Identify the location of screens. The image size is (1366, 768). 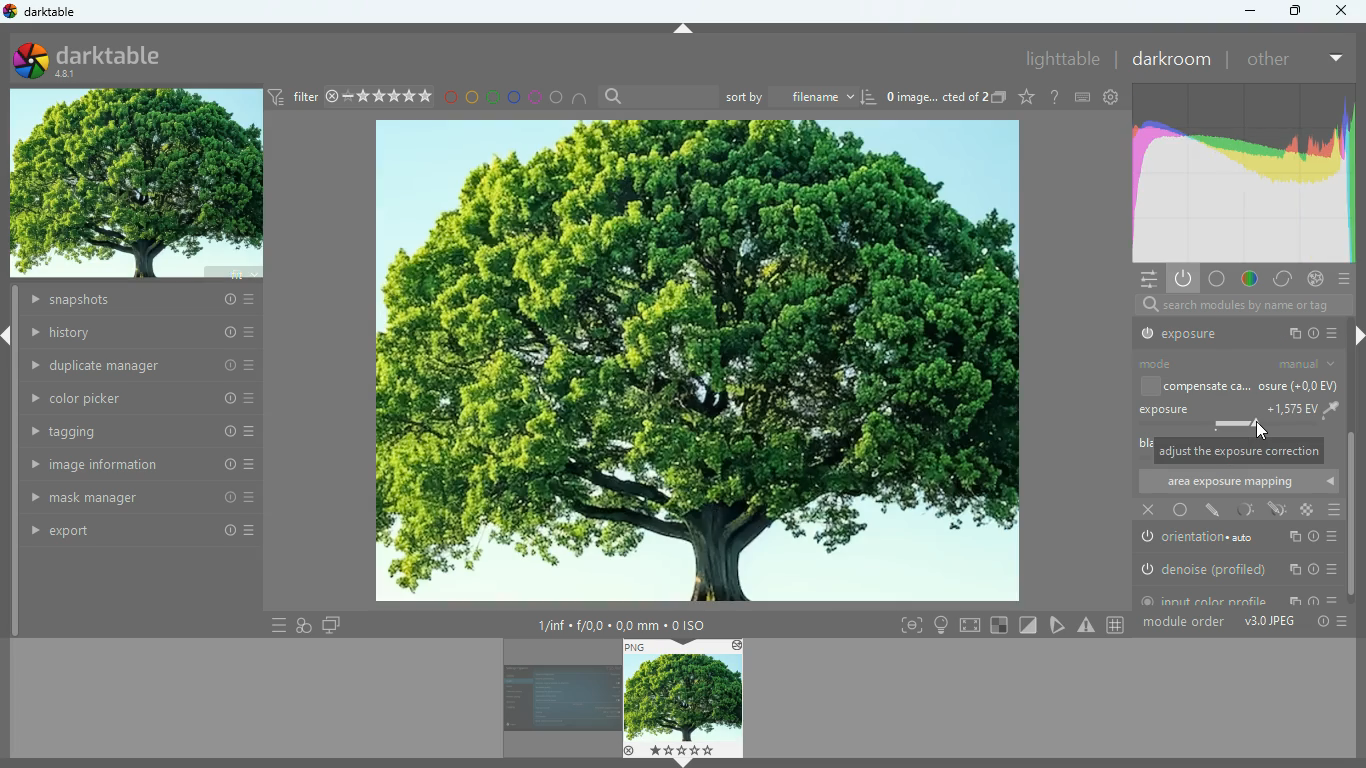
(333, 623).